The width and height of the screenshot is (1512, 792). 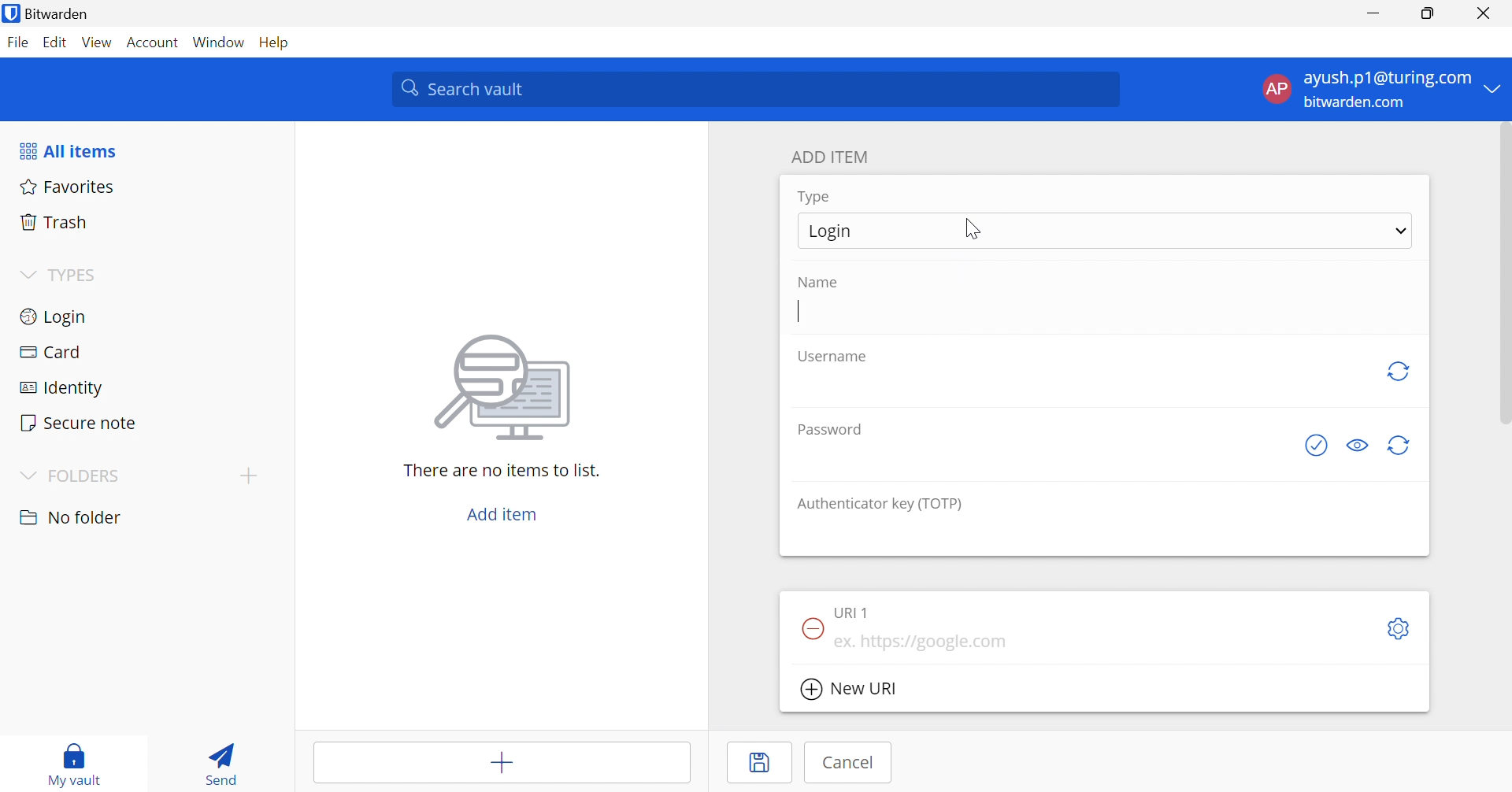 I want to click on Regenerate password, so click(x=1403, y=445).